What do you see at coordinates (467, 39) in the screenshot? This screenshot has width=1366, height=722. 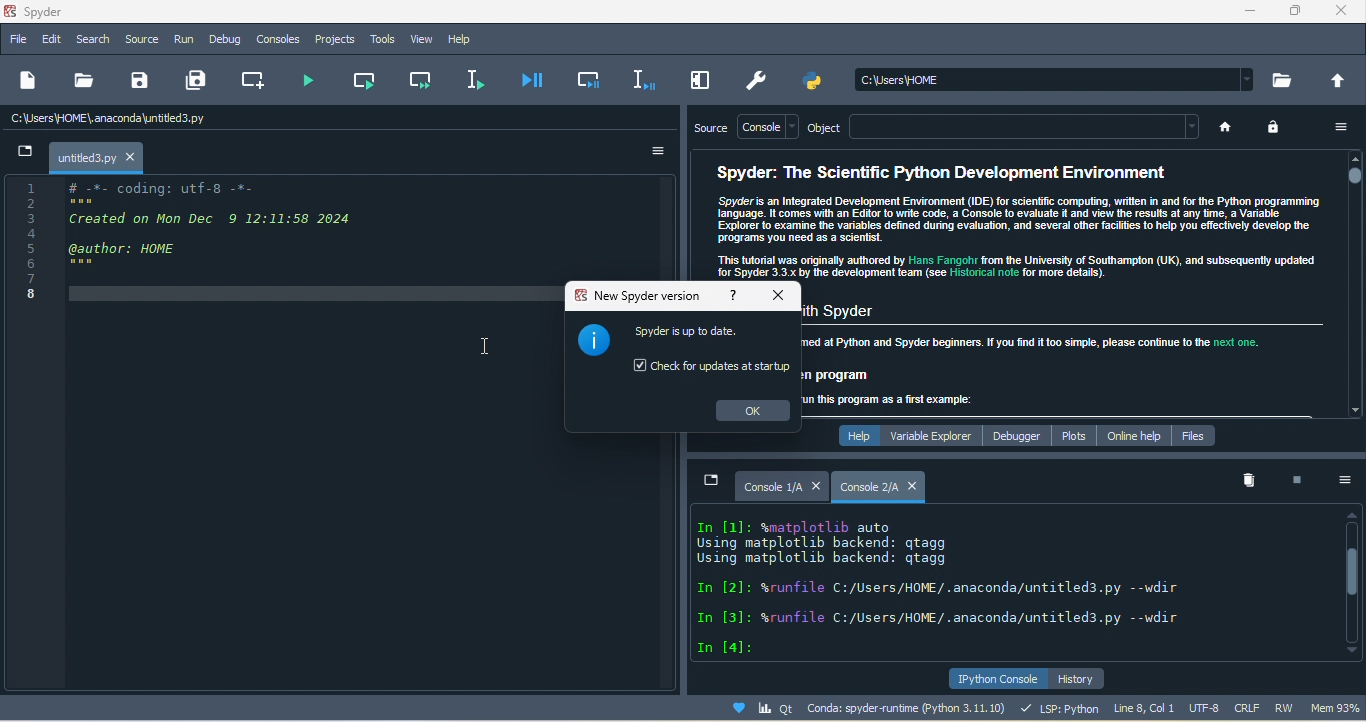 I see `help` at bounding box center [467, 39].